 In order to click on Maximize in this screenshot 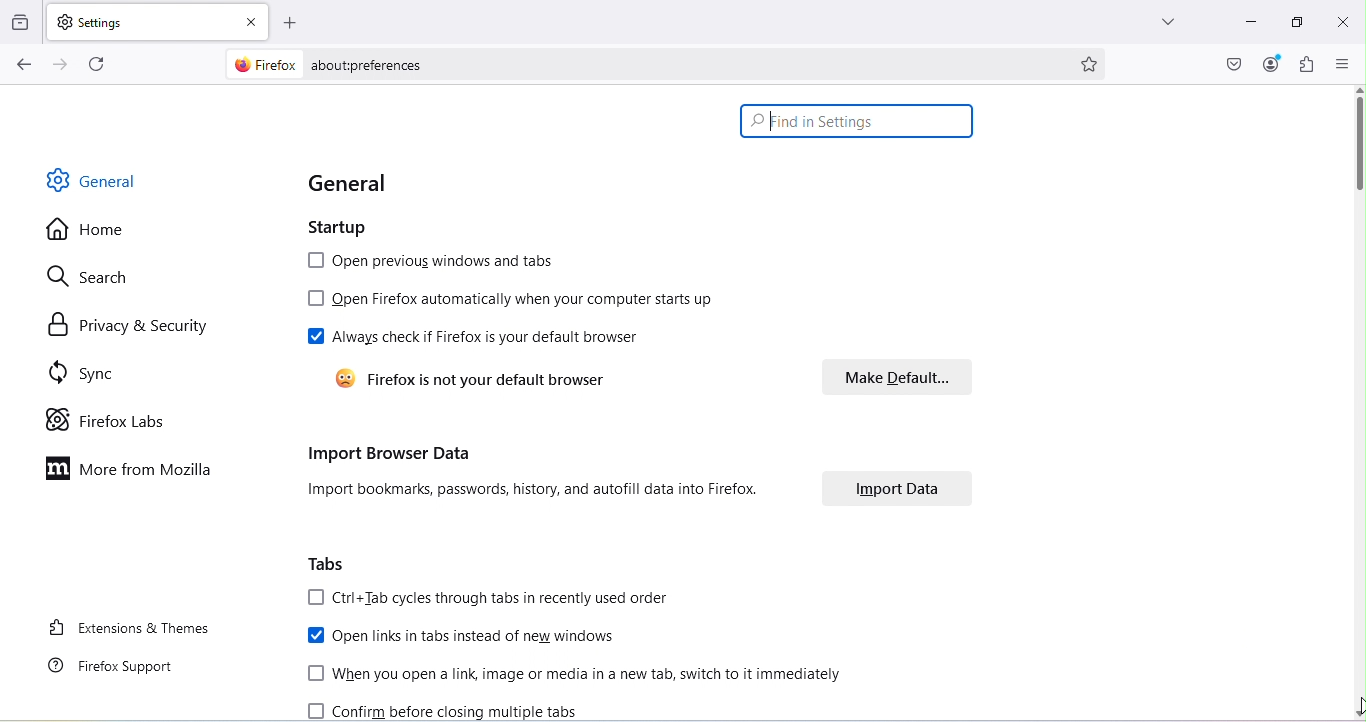, I will do `click(1295, 24)`.